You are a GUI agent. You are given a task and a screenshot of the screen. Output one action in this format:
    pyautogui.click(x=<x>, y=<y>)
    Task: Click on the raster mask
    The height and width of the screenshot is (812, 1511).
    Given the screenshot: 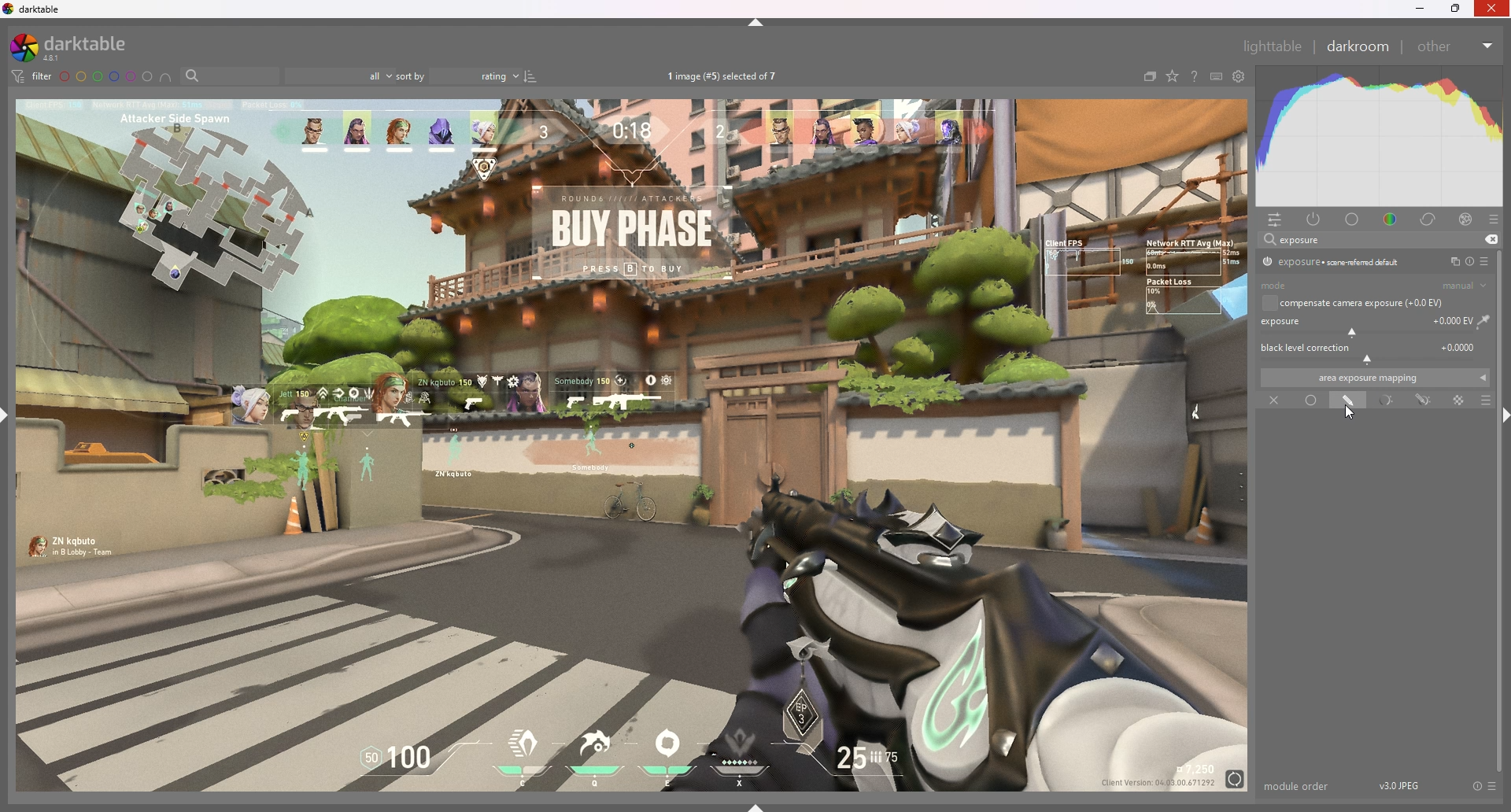 What is the action you would take?
    pyautogui.click(x=1459, y=400)
    